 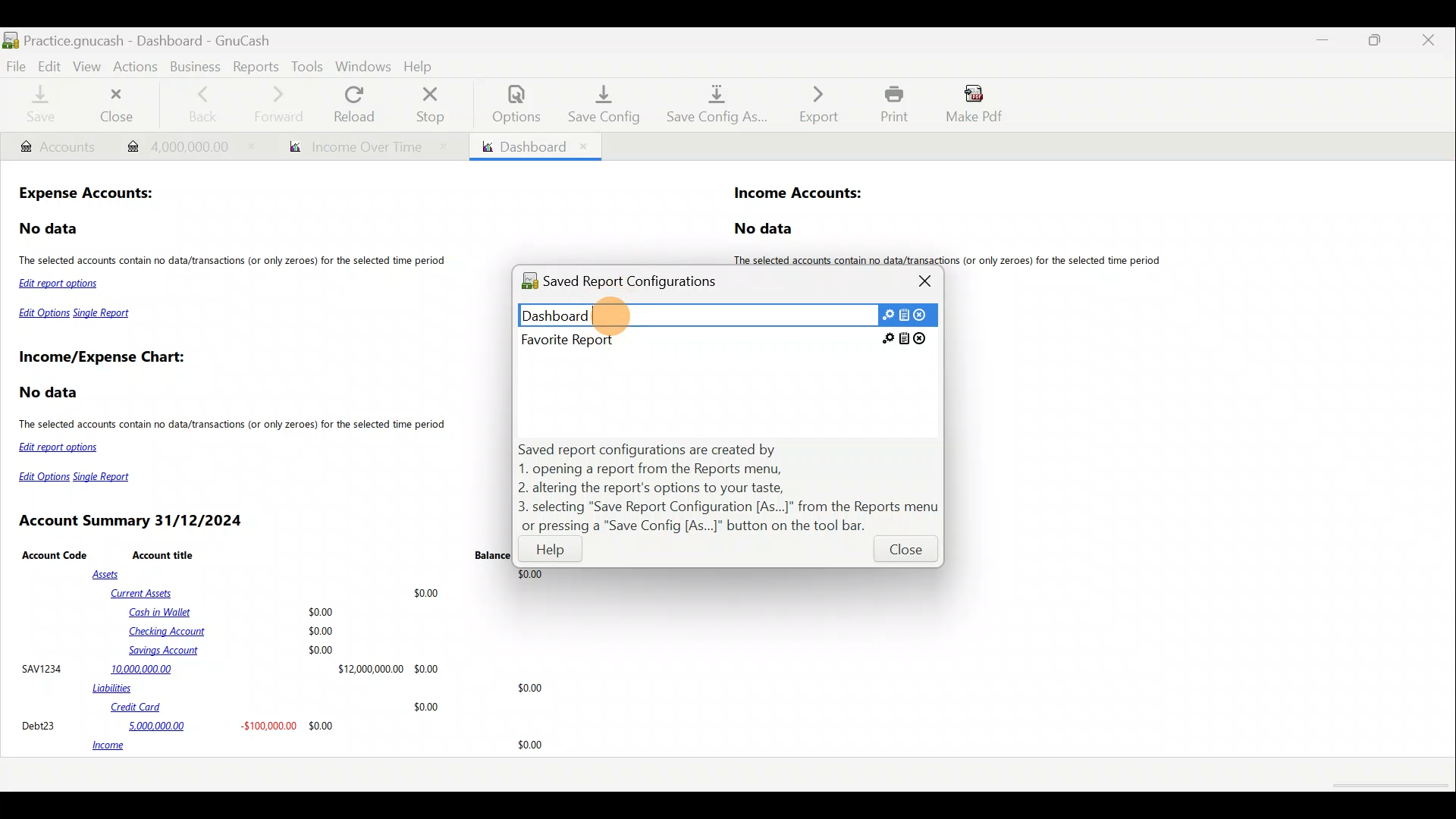 What do you see at coordinates (61, 447) in the screenshot?
I see `Edit report options` at bounding box center [61, 447].